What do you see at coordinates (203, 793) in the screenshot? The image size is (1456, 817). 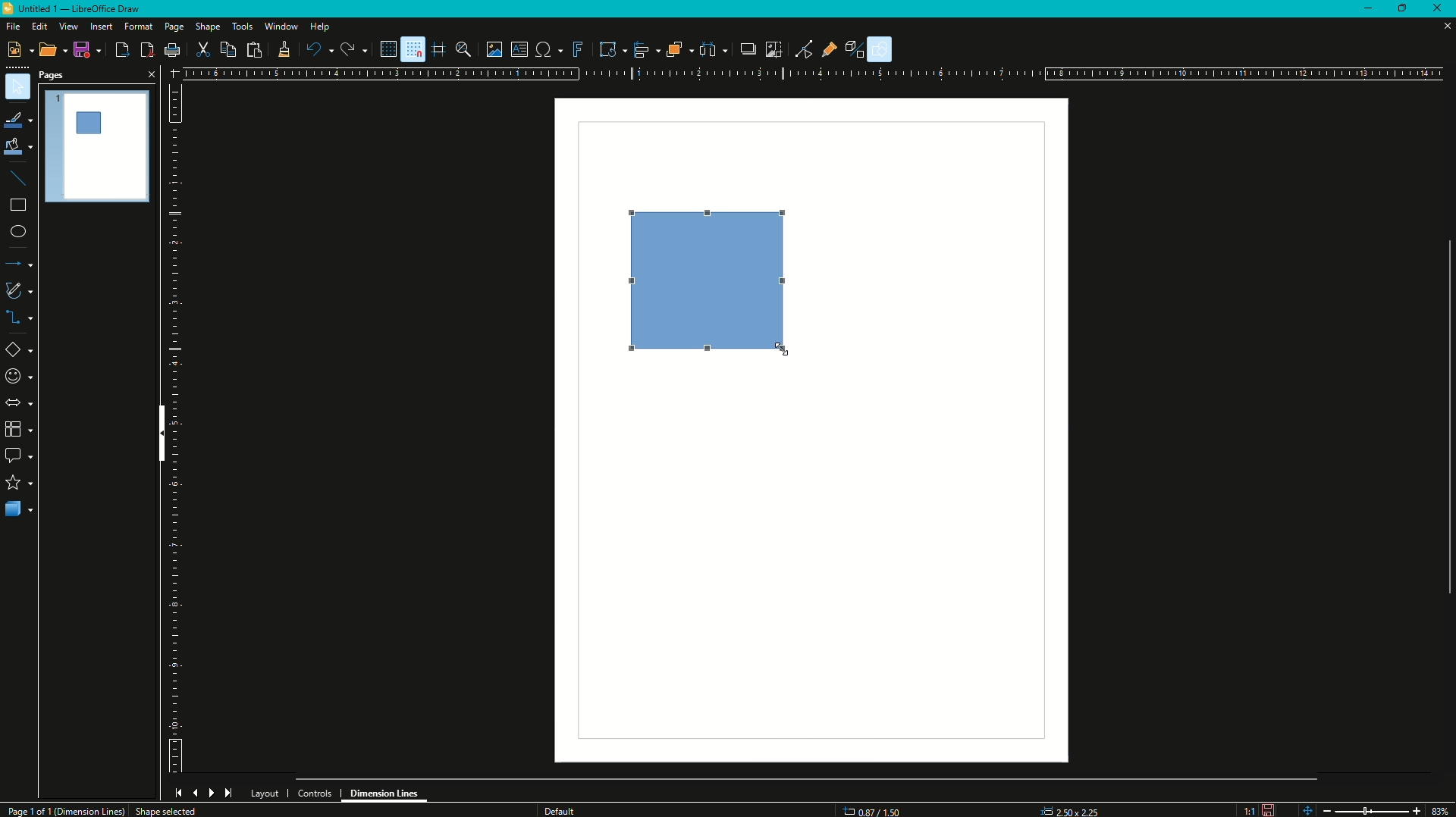 I see `Navigation` at bounding box center [203, 793].